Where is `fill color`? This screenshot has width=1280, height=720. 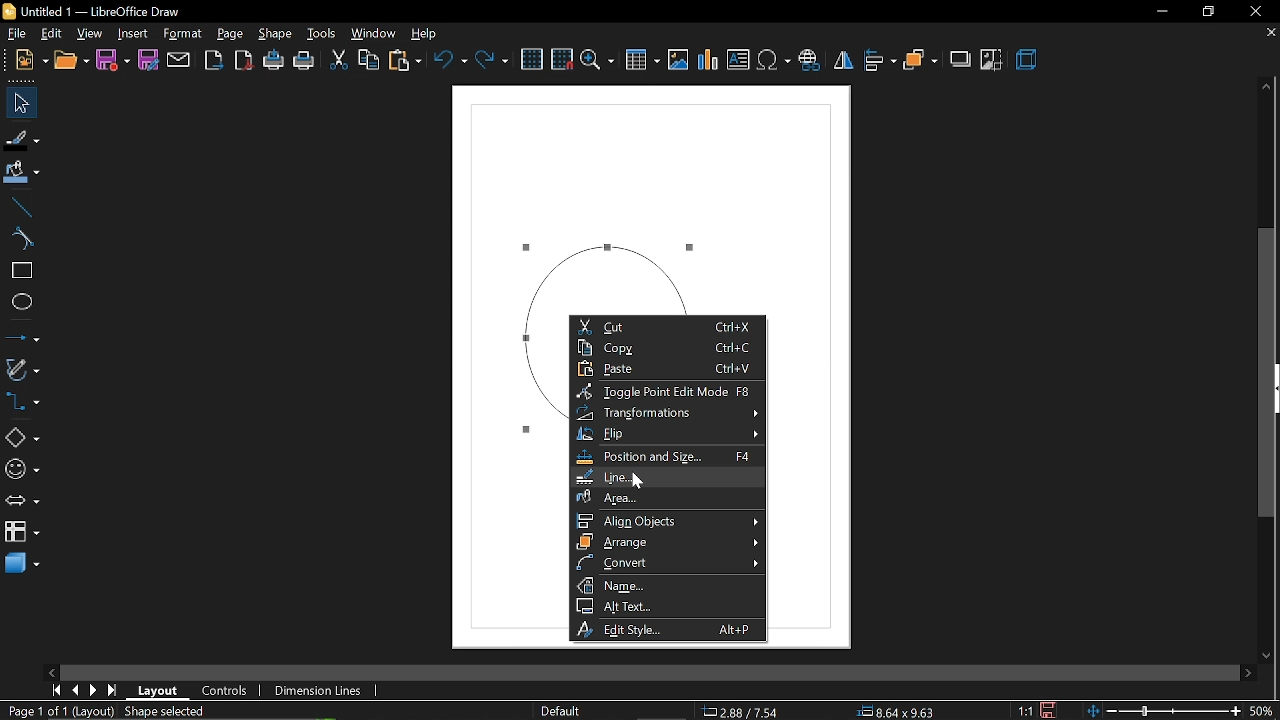
fill color is located at coordinates (22, 170).